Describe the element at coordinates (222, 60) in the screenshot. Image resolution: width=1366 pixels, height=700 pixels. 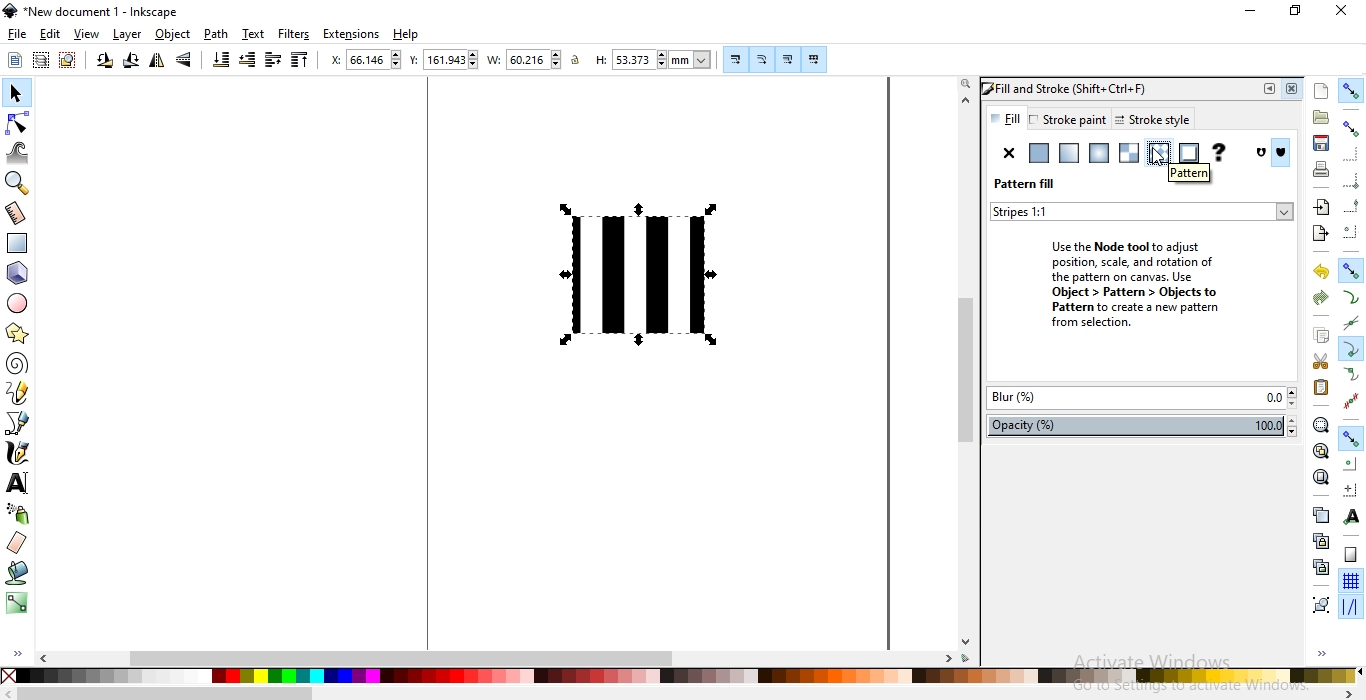
I see `lower selection to bottom` at that location.